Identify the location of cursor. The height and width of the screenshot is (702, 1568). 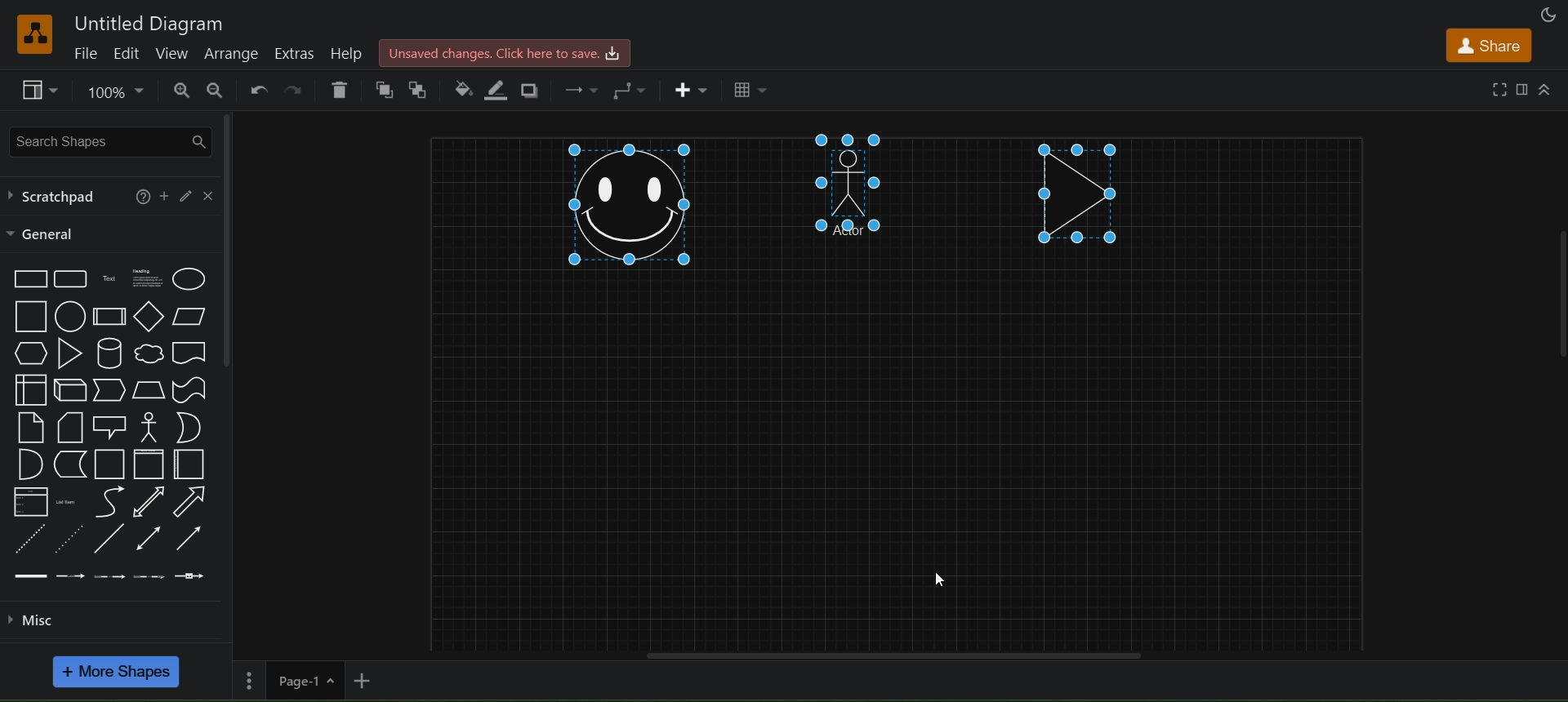
(942, 581).